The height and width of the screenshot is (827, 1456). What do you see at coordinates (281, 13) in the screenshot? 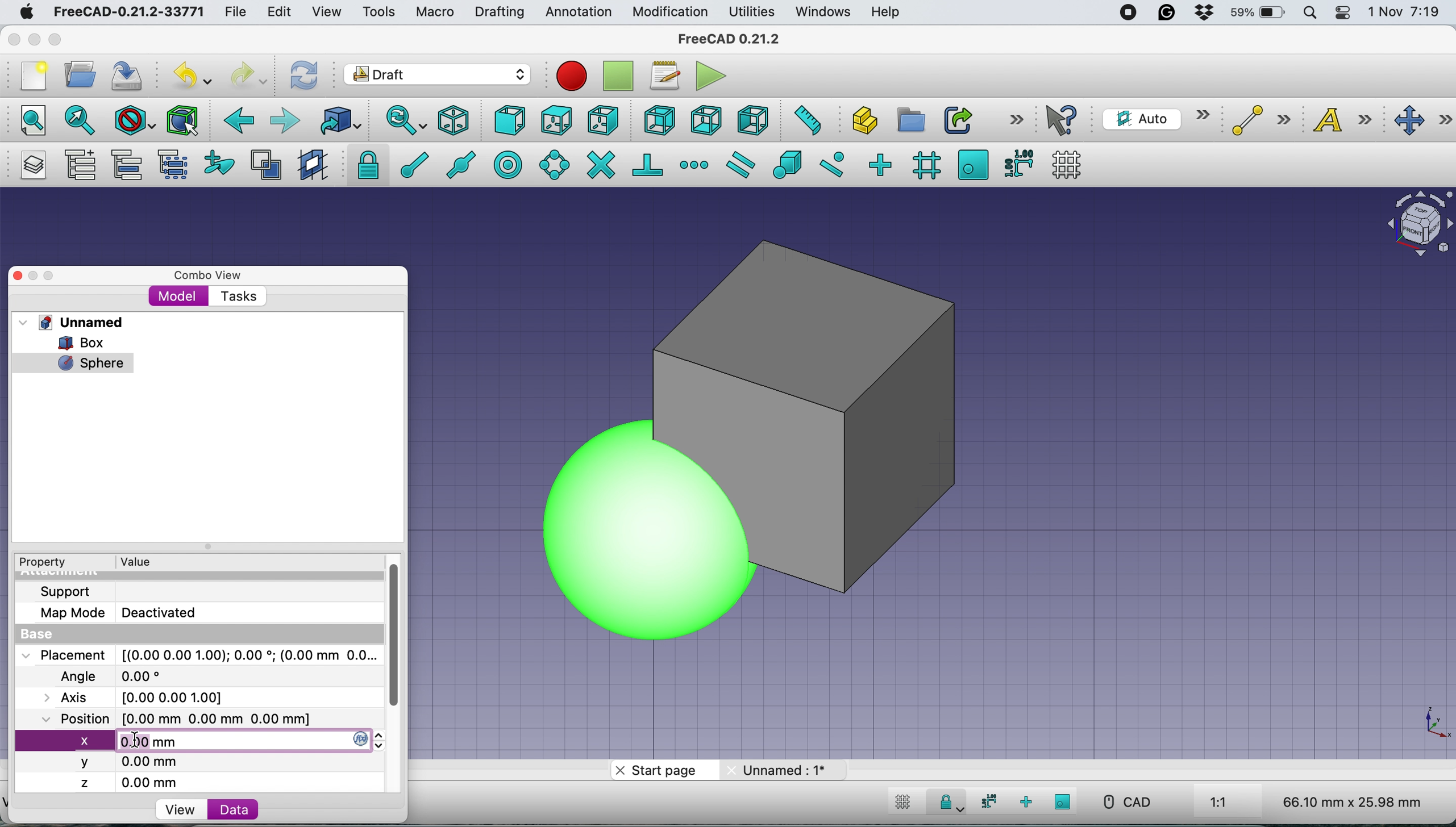
I see `edit` at bounding box center [281, 13].